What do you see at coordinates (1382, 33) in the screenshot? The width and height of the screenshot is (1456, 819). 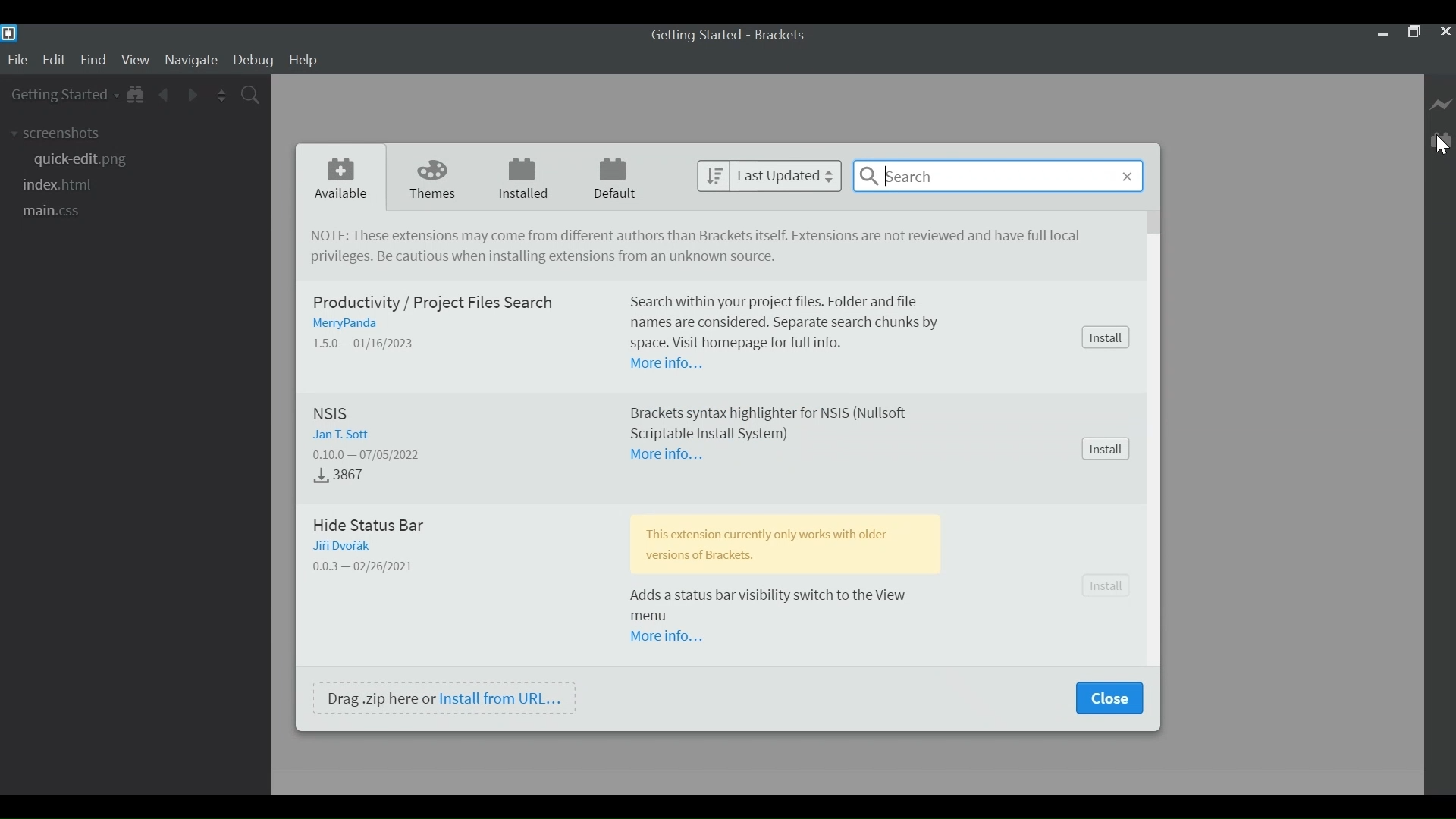 I see `minimize` at bounding box center [1382, 33].